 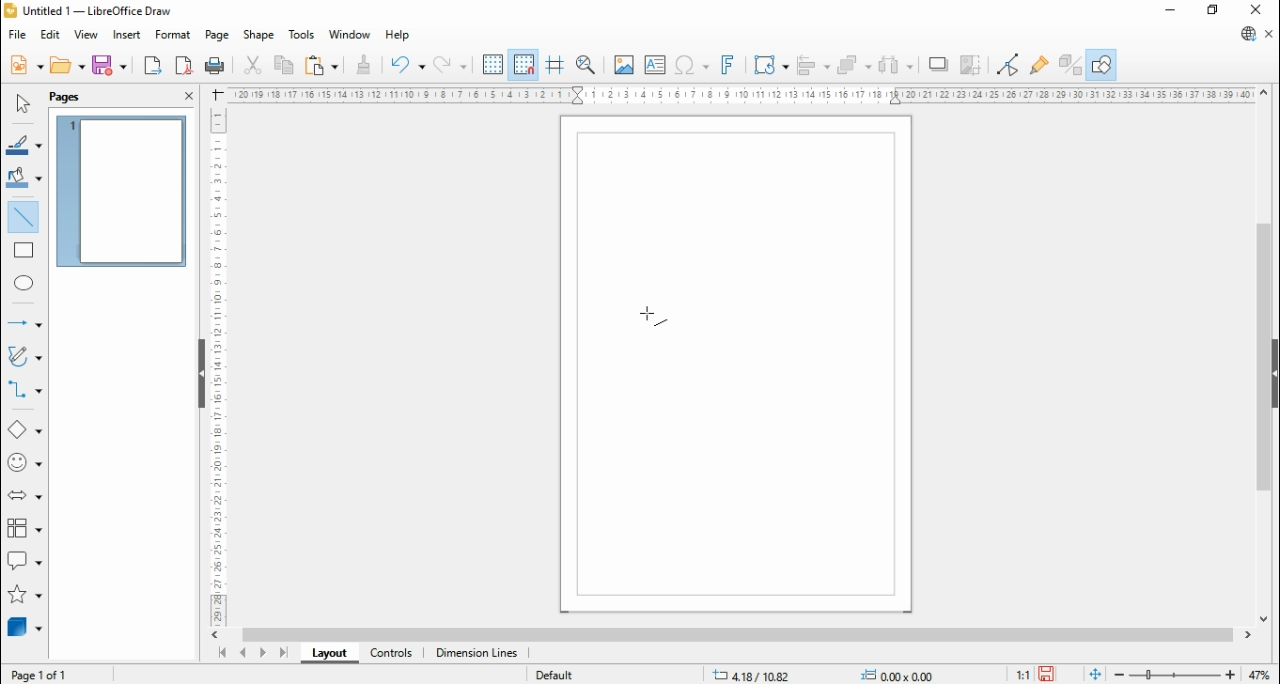 I want to click on close document, so click(x=1270, y=34).